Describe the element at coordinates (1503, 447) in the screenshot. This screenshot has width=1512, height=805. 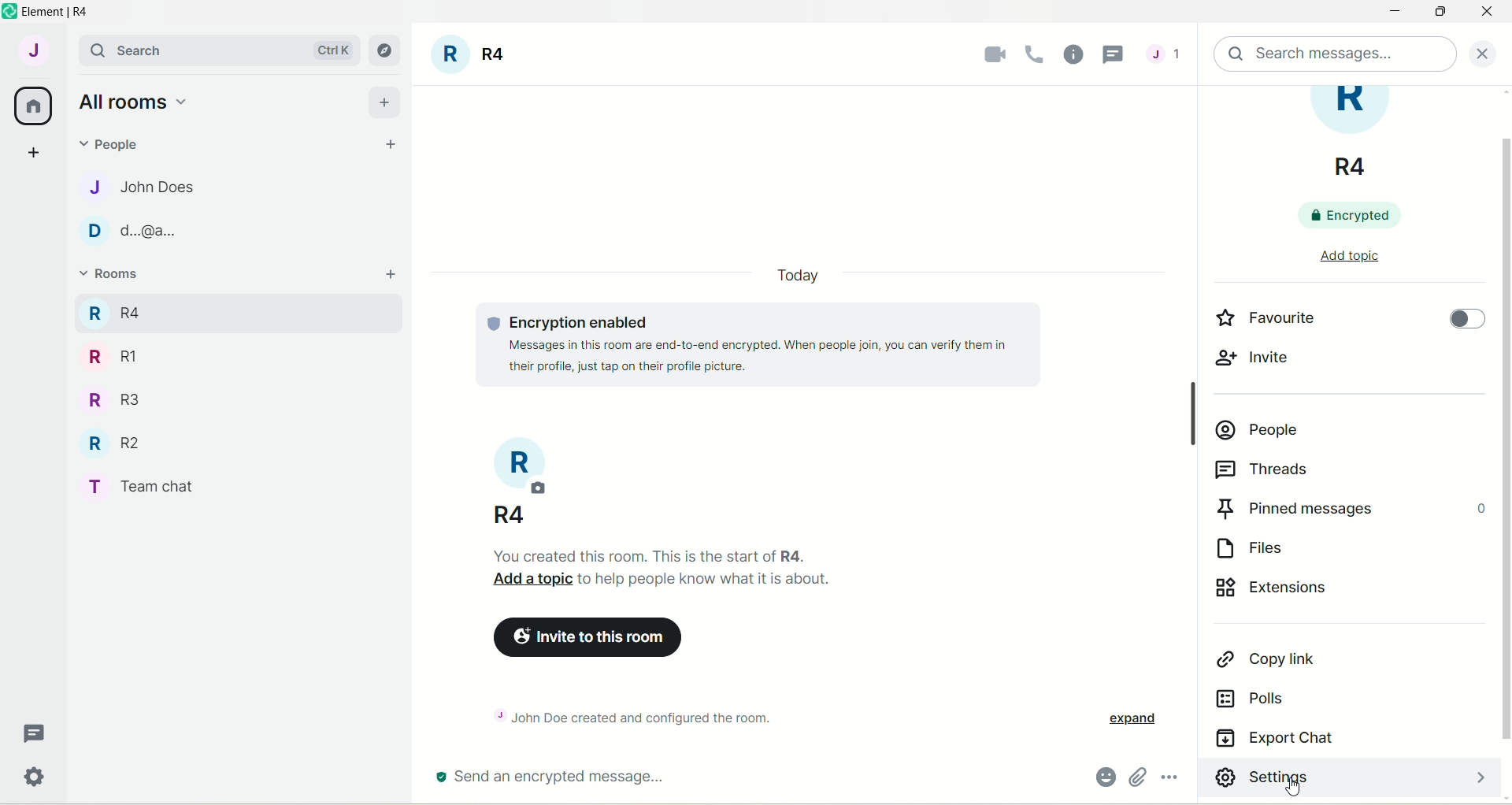
I see `vertical scroll bar` at that location.